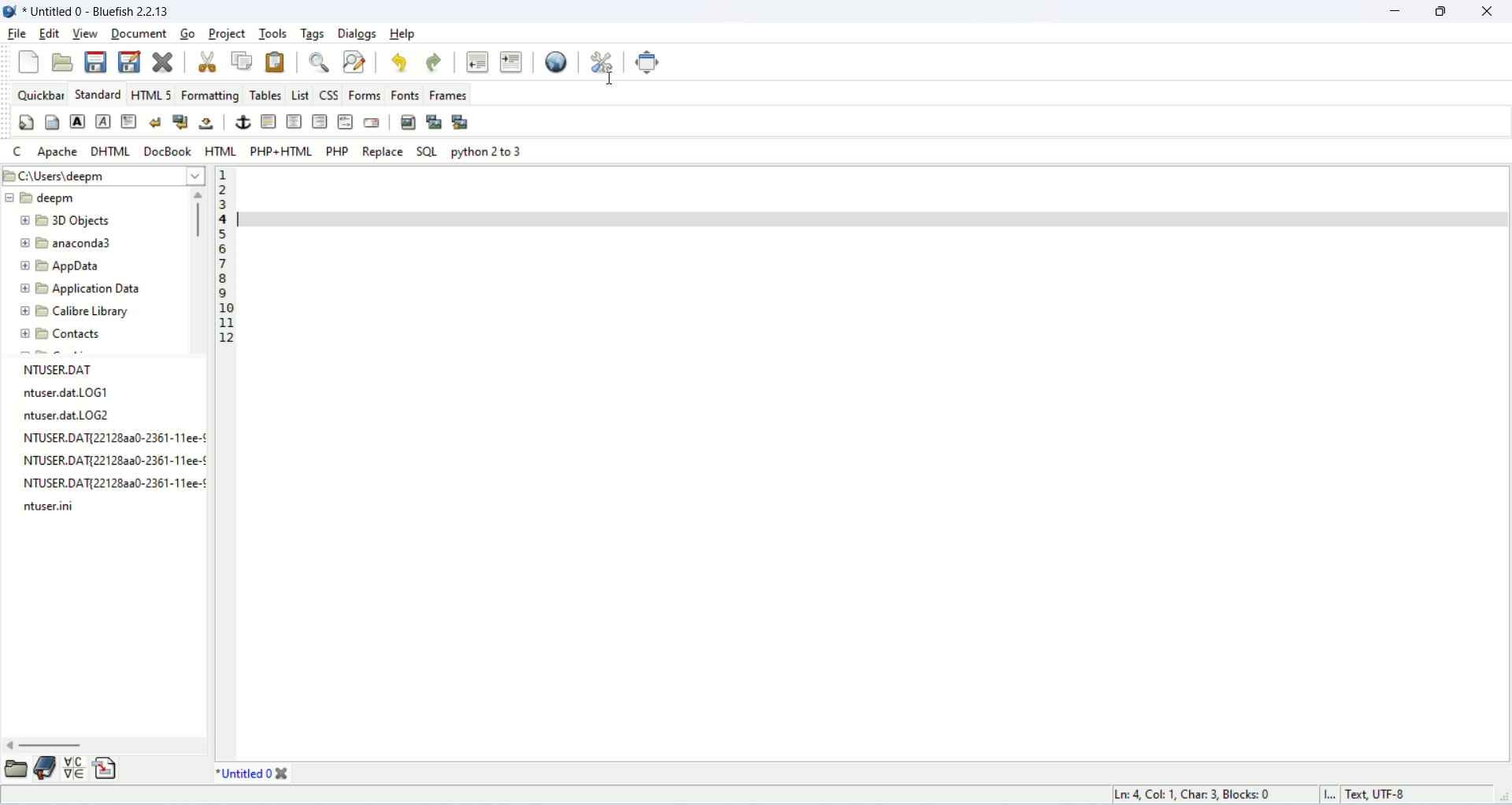 This screenshot has width=1512, height=805. What do you see at coordinates (434, 63) in the screenshot?
I see `redo` at bounding box center [434, 63].